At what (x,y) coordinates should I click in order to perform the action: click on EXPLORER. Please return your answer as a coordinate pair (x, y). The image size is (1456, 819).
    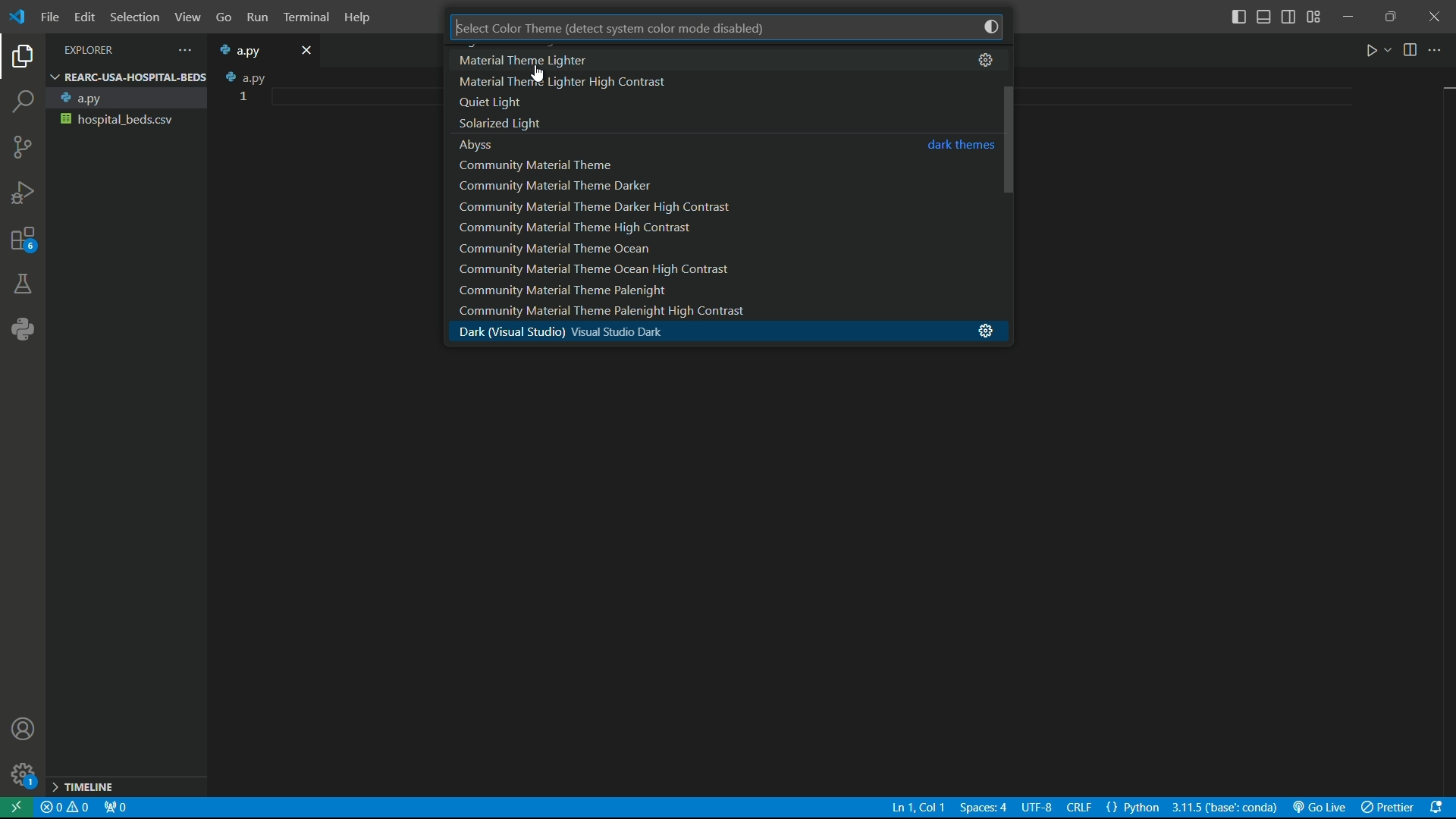
    Looking at the image, I should click on (102, 50).